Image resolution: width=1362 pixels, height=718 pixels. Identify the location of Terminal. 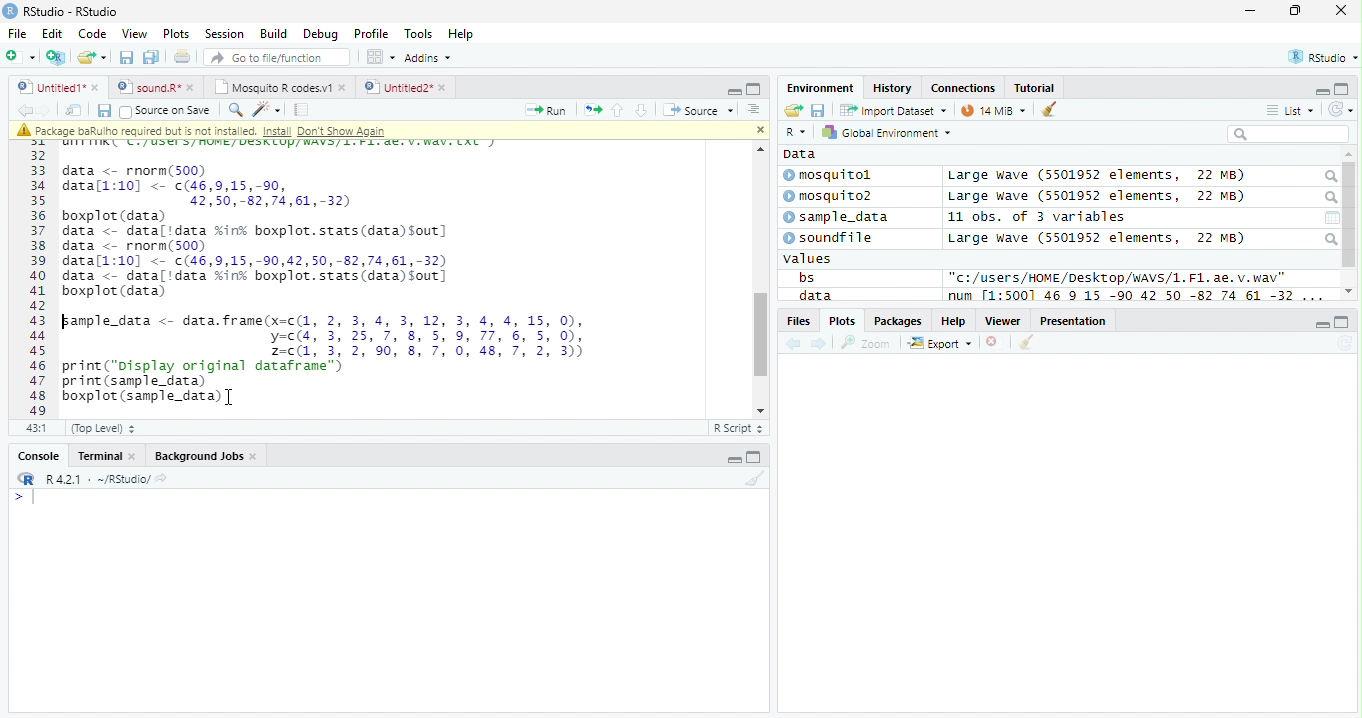
(104, 456).